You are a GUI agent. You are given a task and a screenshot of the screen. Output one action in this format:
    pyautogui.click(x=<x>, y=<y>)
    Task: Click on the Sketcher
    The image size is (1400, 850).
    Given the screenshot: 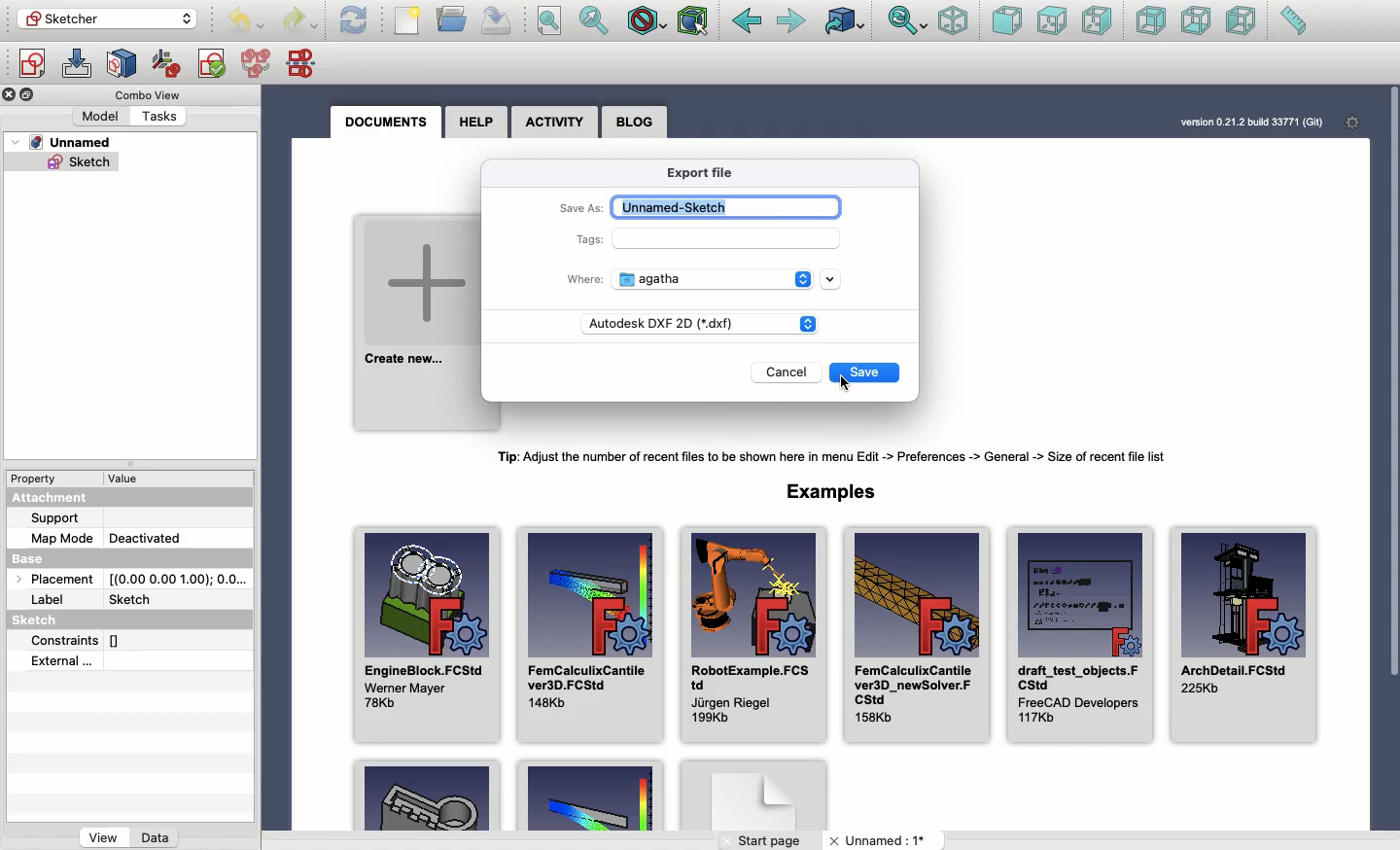 What is the action you would take?
    pyautogui.click(x=105, y=19)
    